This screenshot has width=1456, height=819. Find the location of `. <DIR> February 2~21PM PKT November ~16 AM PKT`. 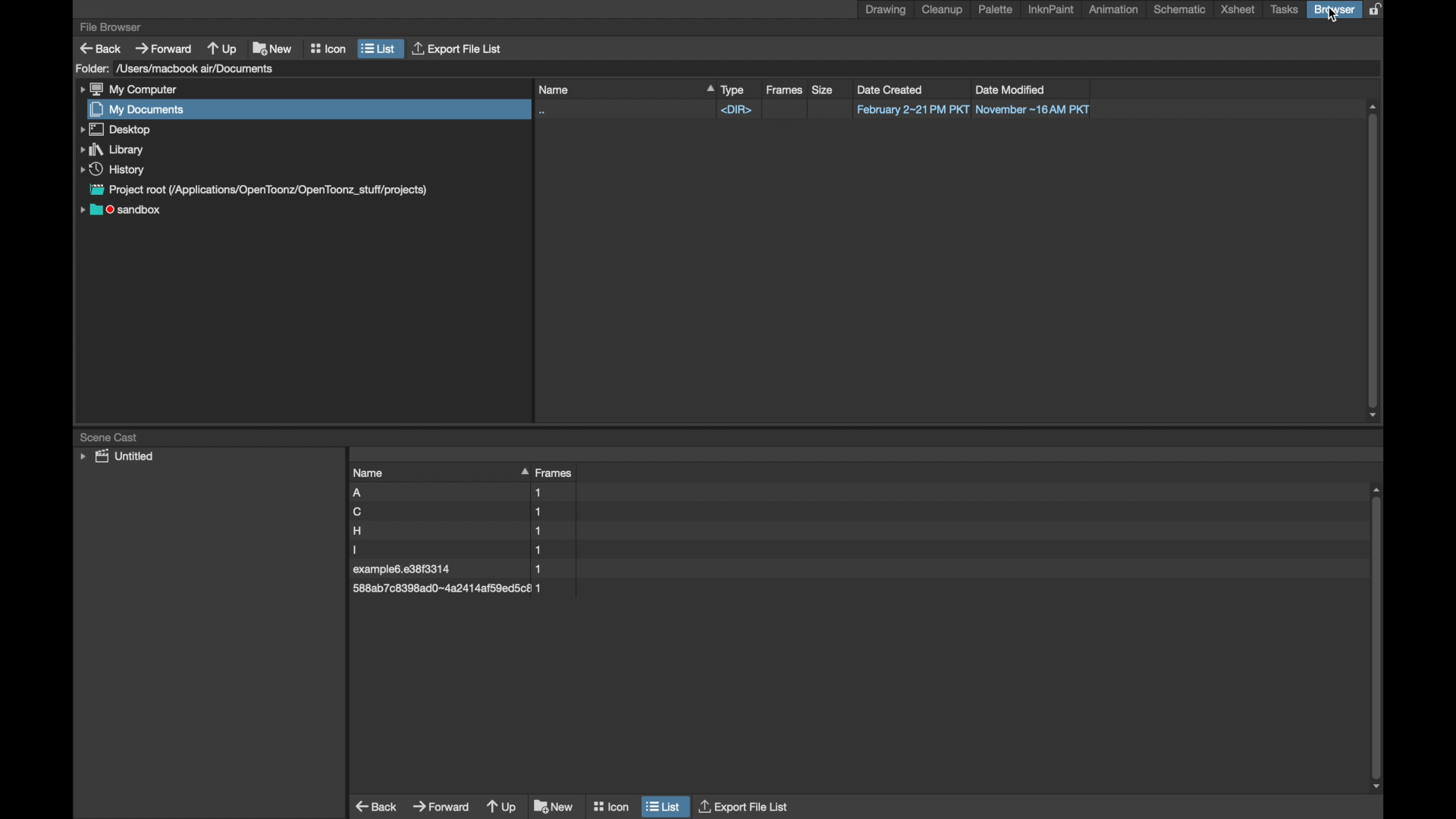

. <DIR> February 2~21PM PKT November ~16 AM PKT is located at coordinates (824, 110).